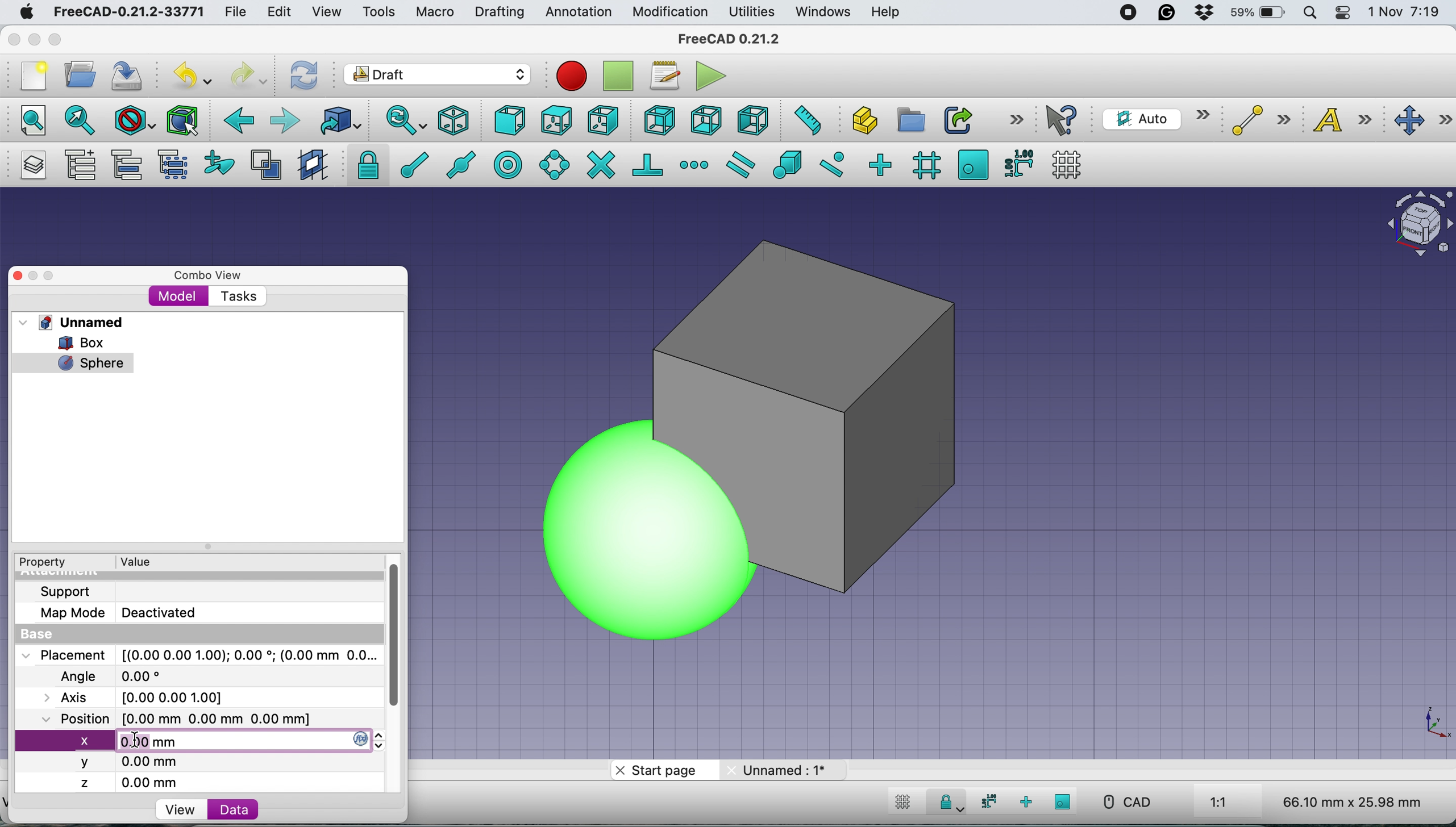 This screenshot has height=827, width=1456. Describe the element at coordinates (456, 164) in the screenshot. I see `snap midpoint` at that location.